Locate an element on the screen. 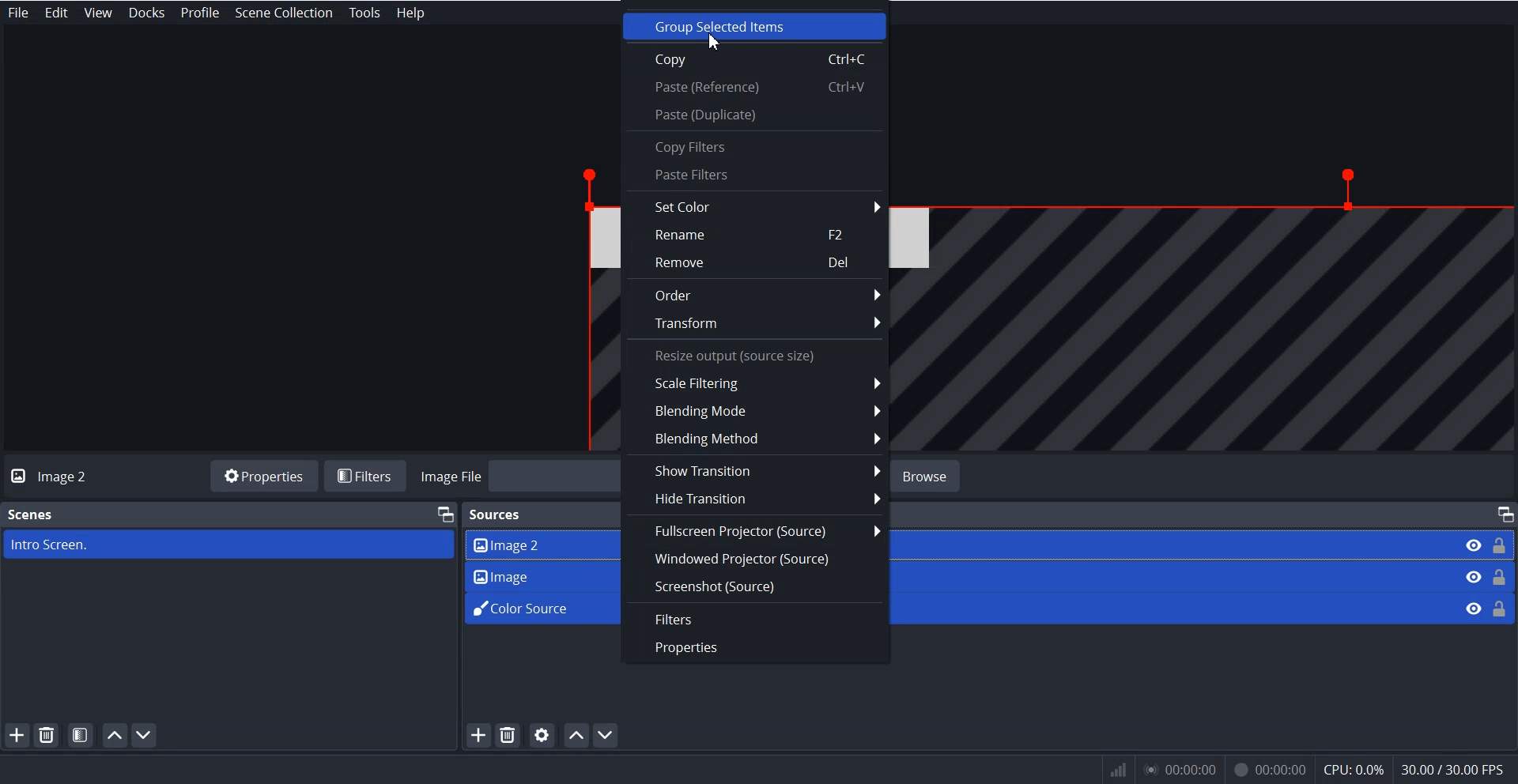 The width and height of the screenshot is (1518, 784). Order is located at coordinates (753, 296).